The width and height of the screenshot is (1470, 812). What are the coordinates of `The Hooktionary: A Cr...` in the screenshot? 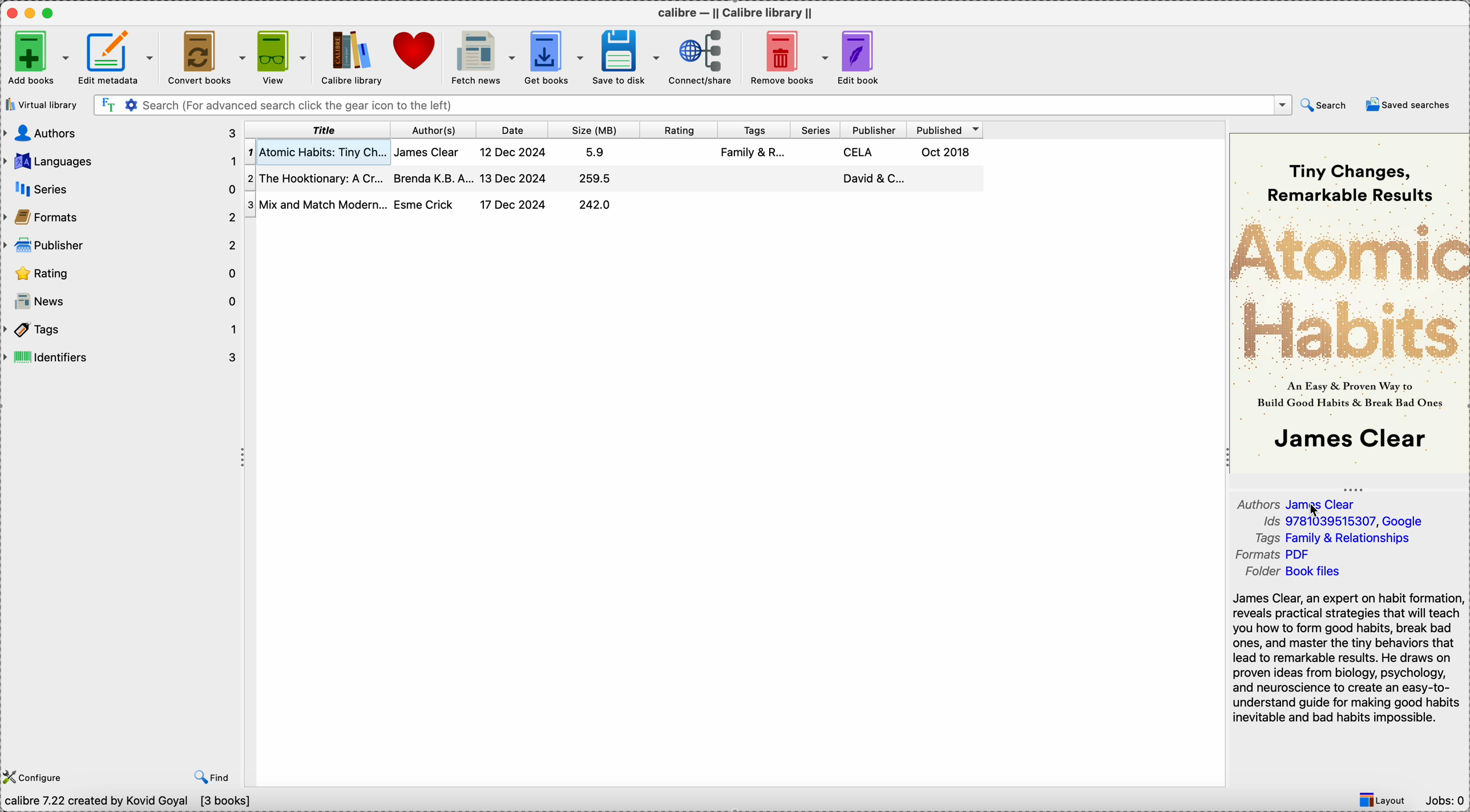 It's located at (317, 176).